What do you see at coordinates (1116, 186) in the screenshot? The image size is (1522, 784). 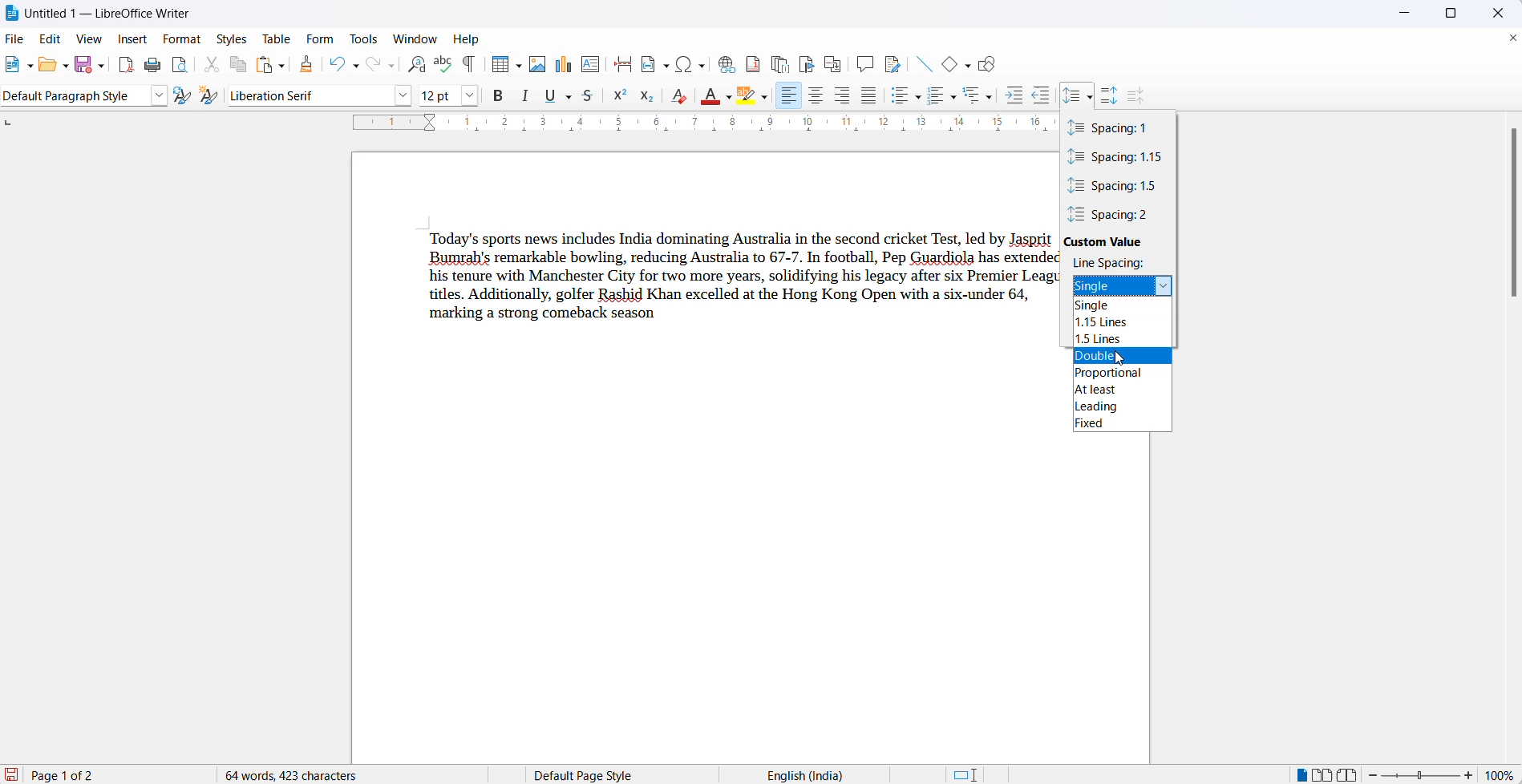 I see `spacing value 1.5` at bounding box center [1116, 186].